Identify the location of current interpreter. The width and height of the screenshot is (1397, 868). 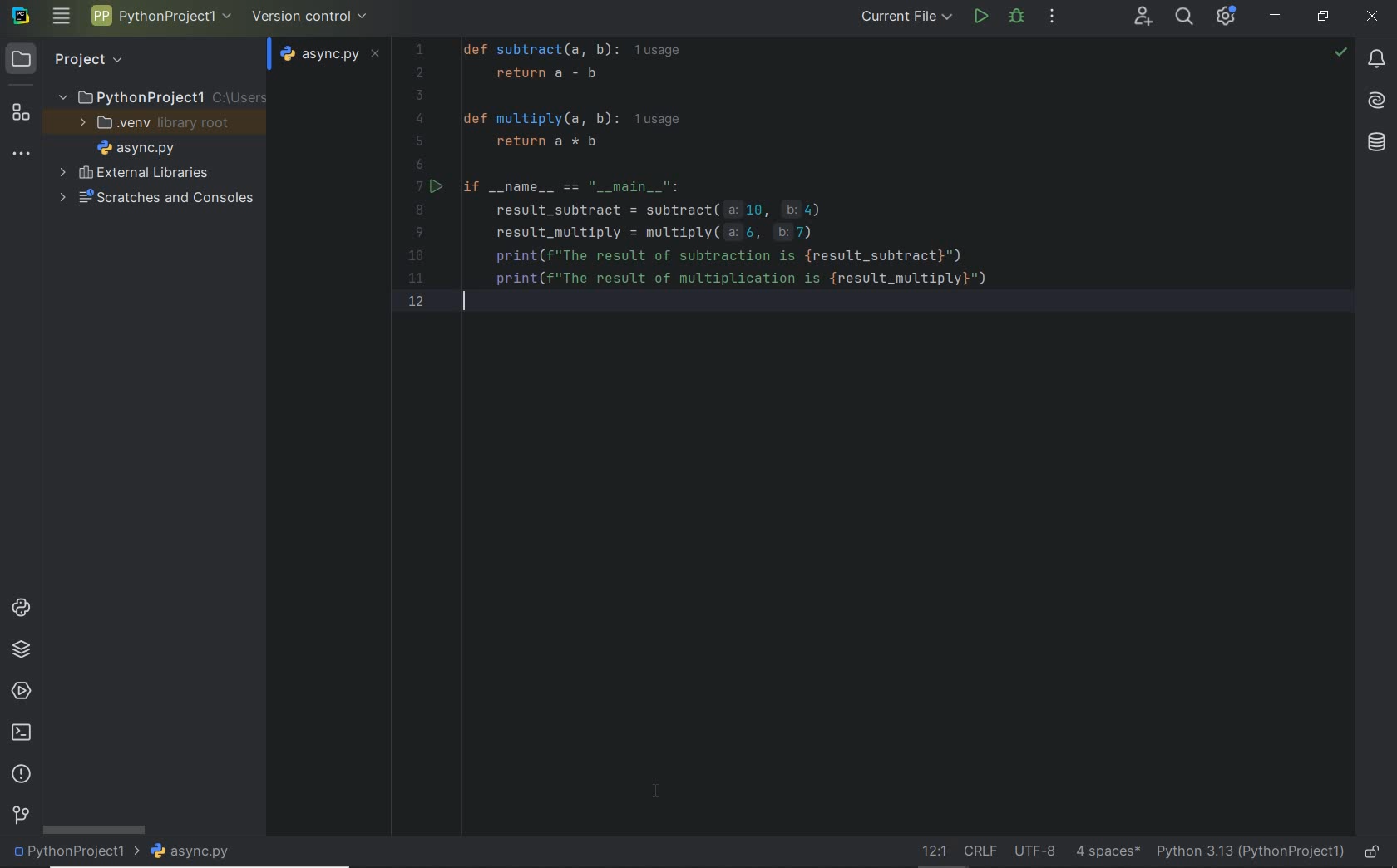
(1250, 851).